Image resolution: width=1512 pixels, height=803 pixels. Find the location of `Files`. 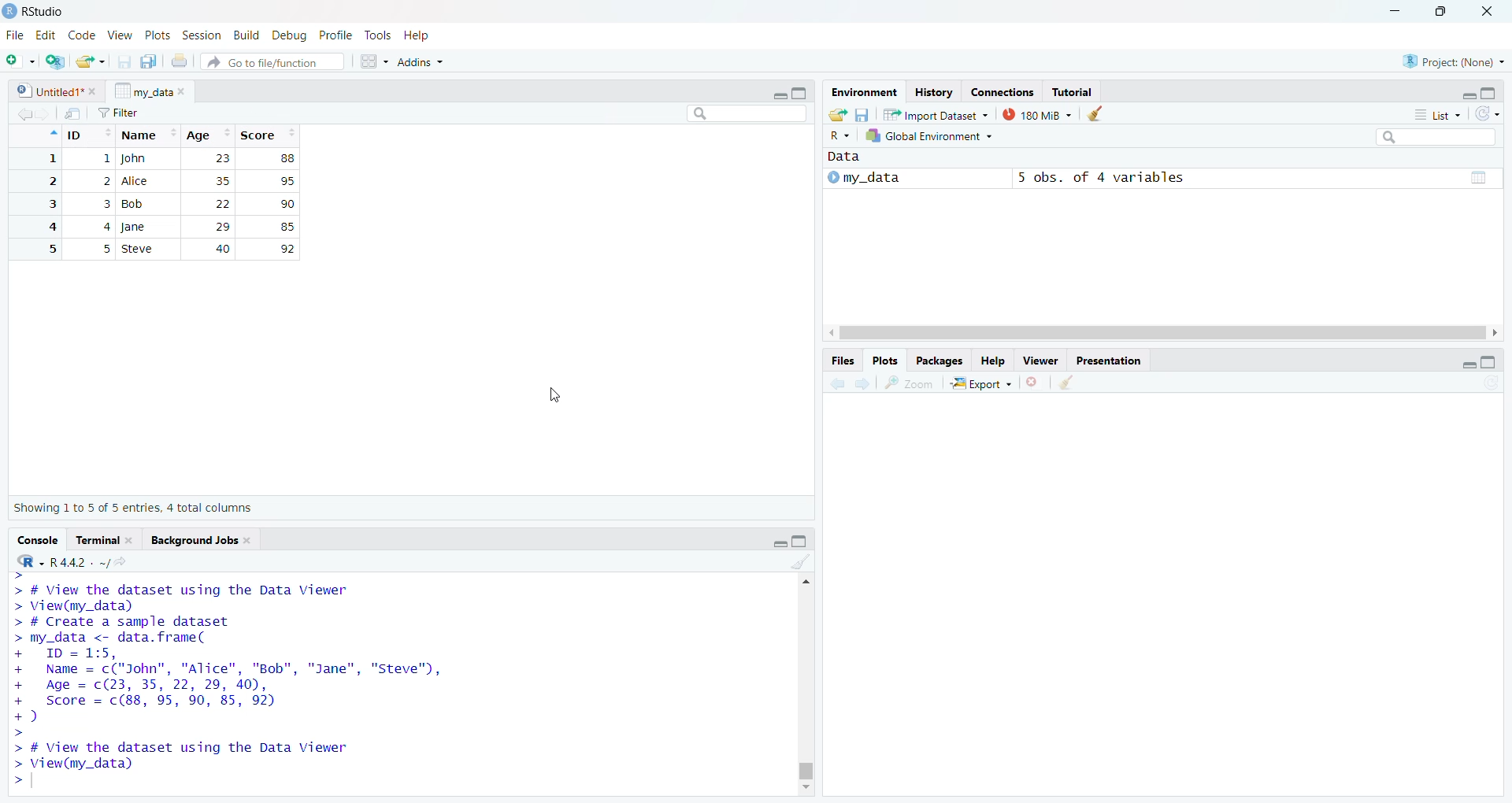

Files is located at coordinates (841, 361).